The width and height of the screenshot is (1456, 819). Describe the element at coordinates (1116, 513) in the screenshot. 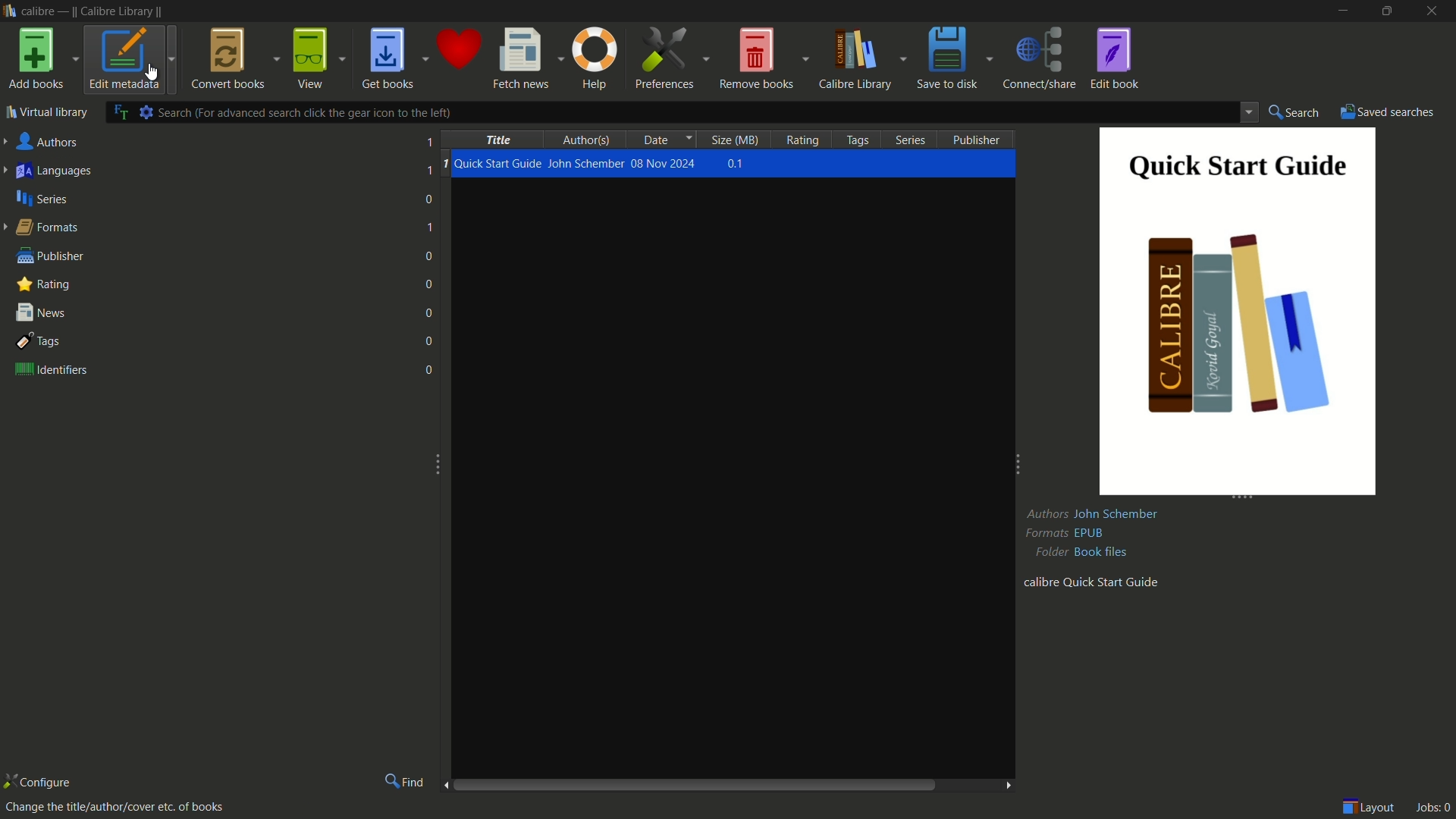

I see `John Schember` at that location.